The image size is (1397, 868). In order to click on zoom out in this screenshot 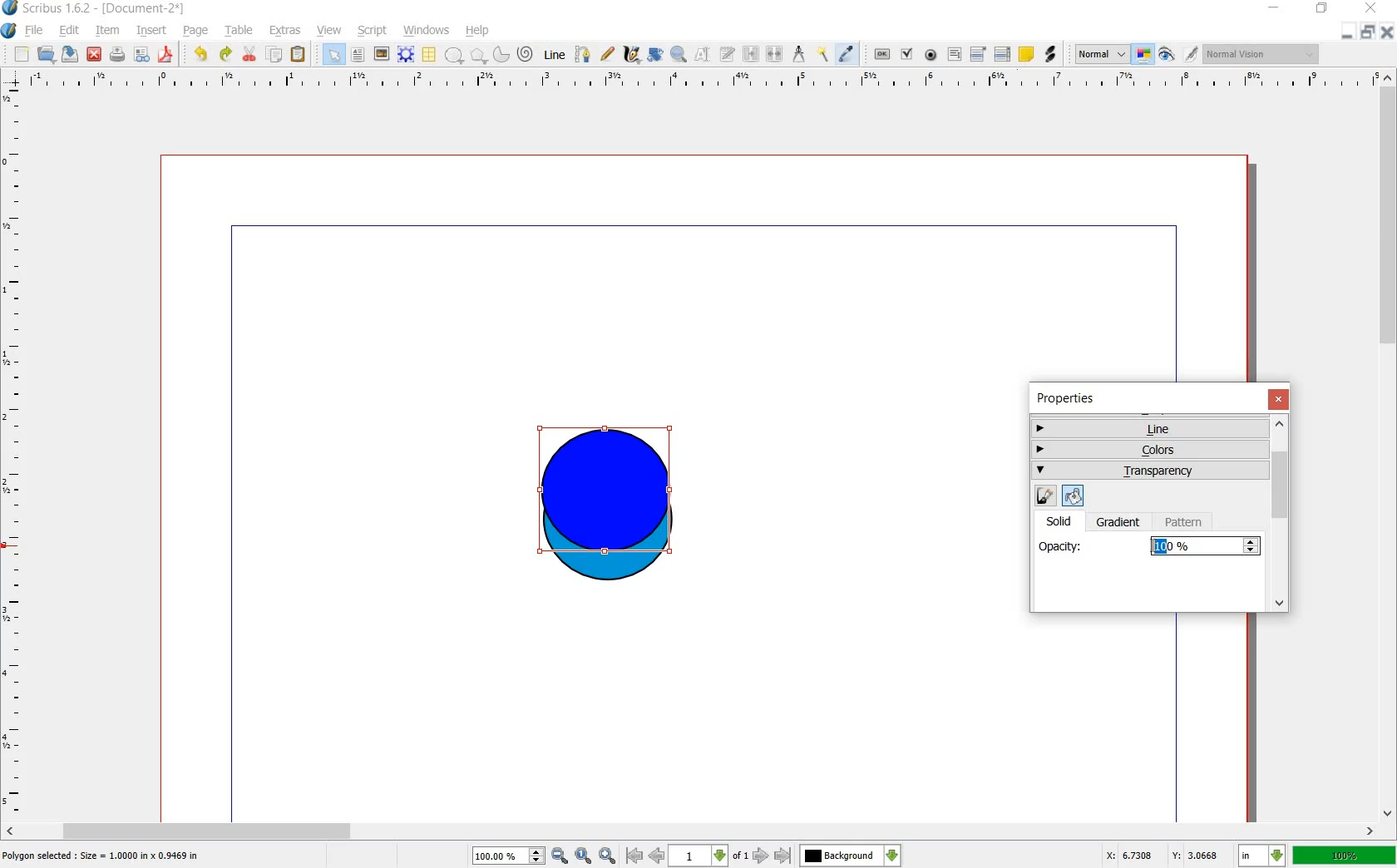, I will do `click(560, 856)`.